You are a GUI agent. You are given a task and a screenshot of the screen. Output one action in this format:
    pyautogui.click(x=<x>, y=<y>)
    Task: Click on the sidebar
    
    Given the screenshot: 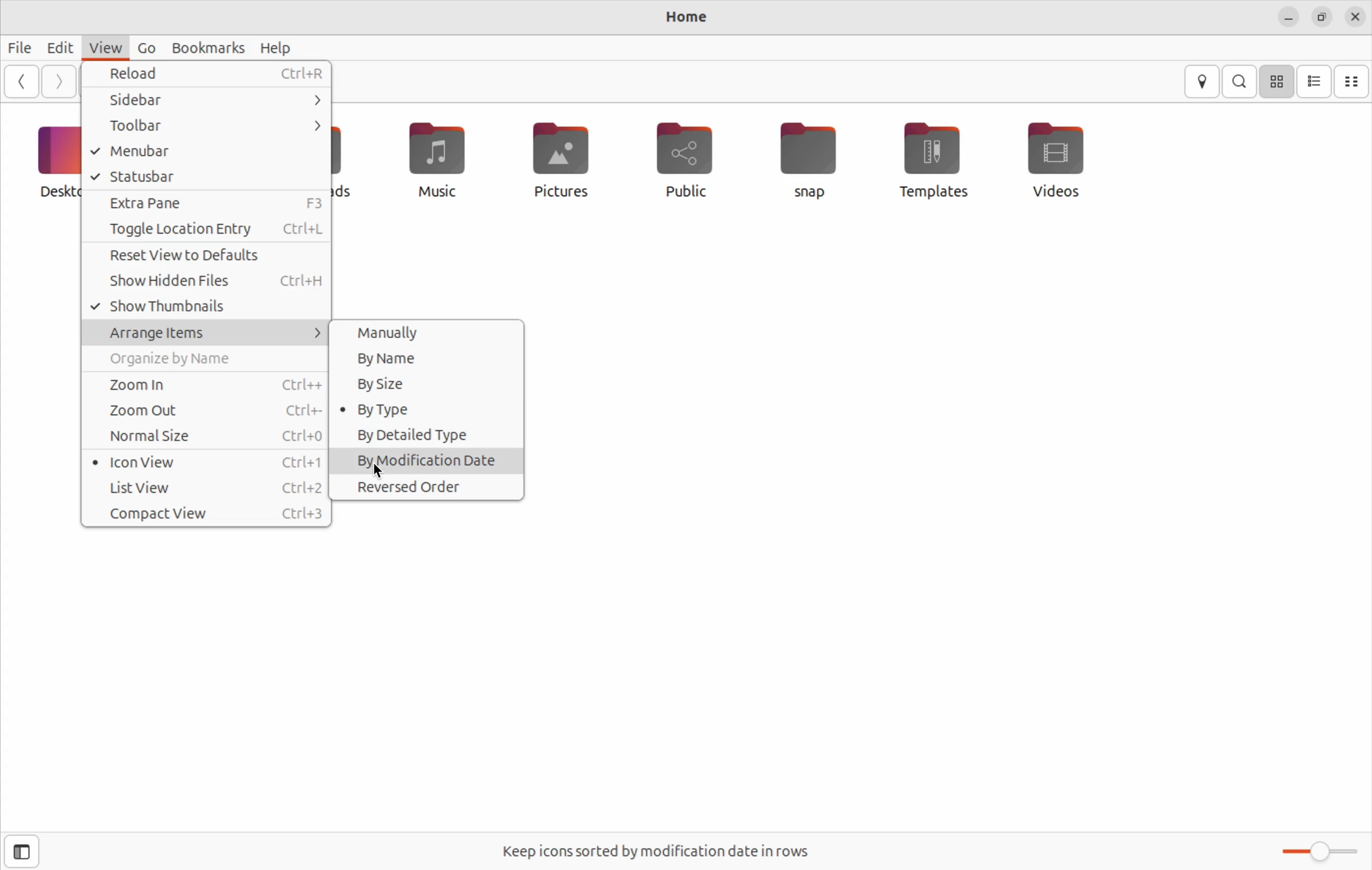 What is the action you would take?
    pyautogui.click(x=210, y=102)
    